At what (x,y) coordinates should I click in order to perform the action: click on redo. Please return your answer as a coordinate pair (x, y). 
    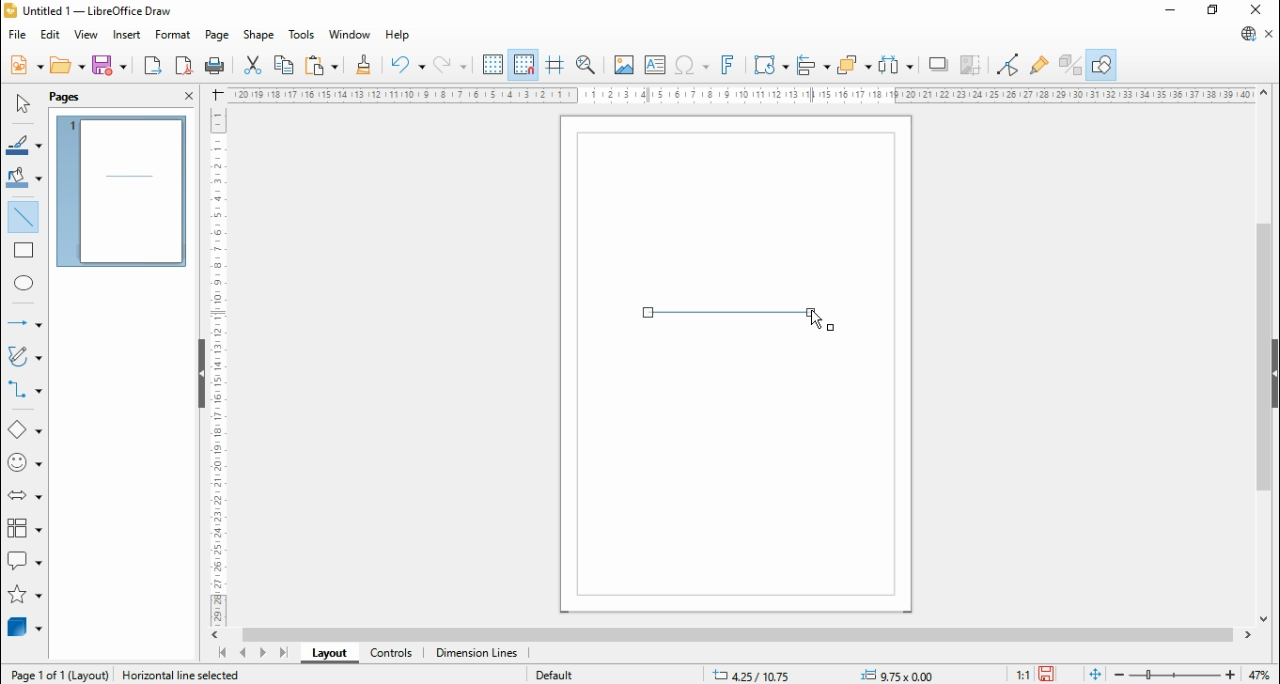
    Looking at the image, I should click on (451, 64).